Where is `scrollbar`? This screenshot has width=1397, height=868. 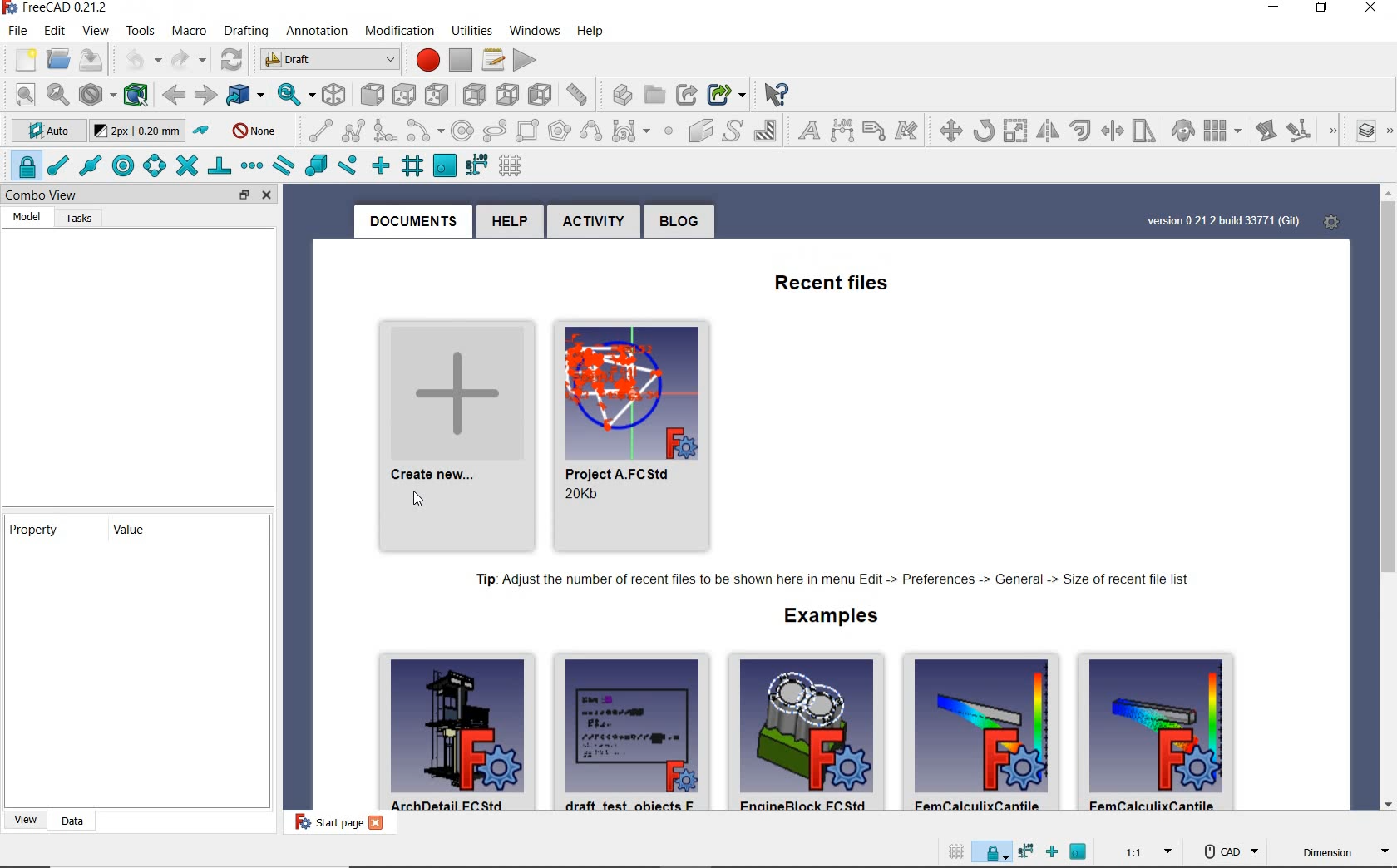
scrollbar is located at coordinates (1386, 484).